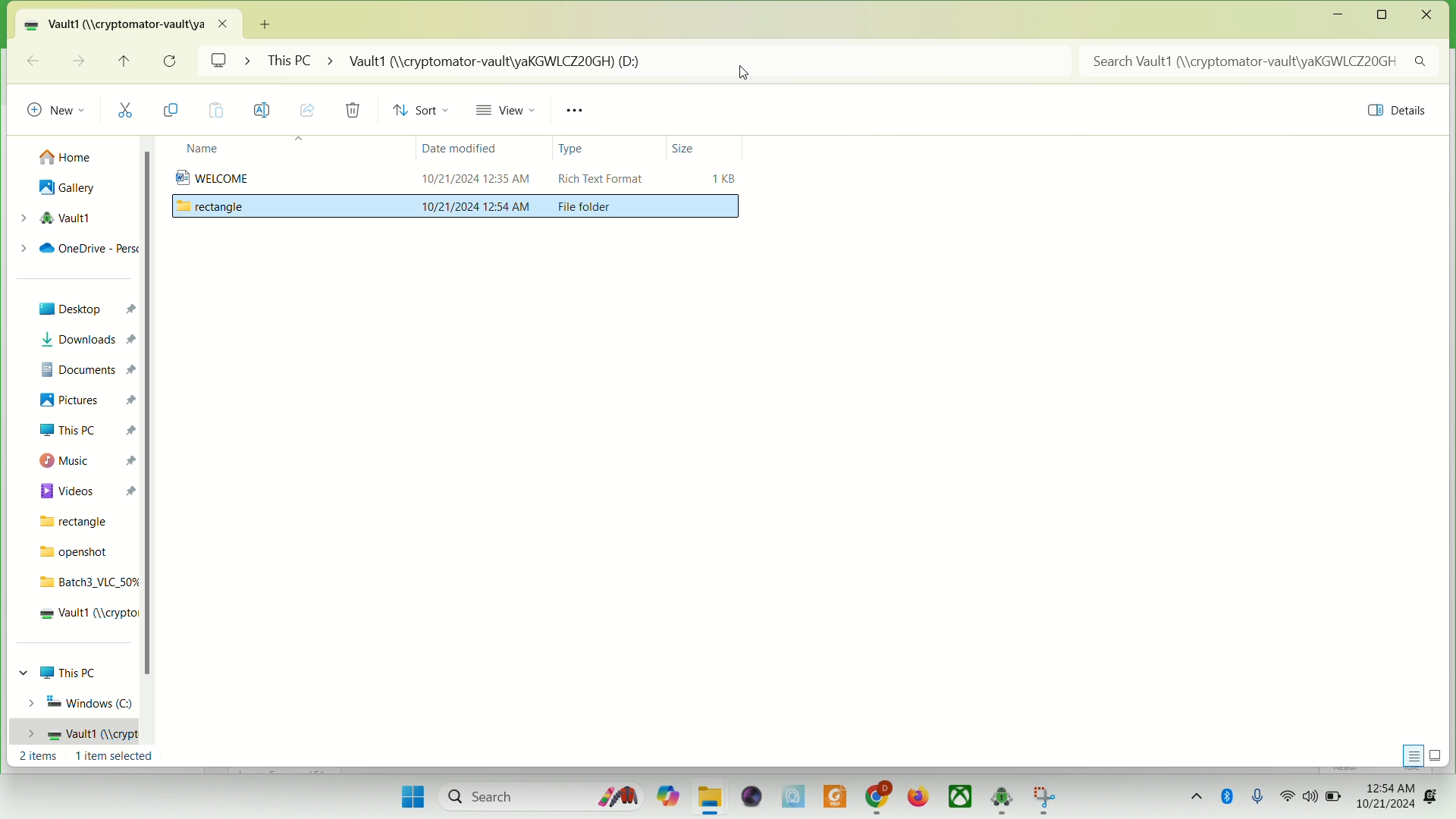 The height and width of the screenshot is (819, 1456). What do you see at coordinates (684, 146) in the screenshot?
I see `size` at bounding box center [684, 146].